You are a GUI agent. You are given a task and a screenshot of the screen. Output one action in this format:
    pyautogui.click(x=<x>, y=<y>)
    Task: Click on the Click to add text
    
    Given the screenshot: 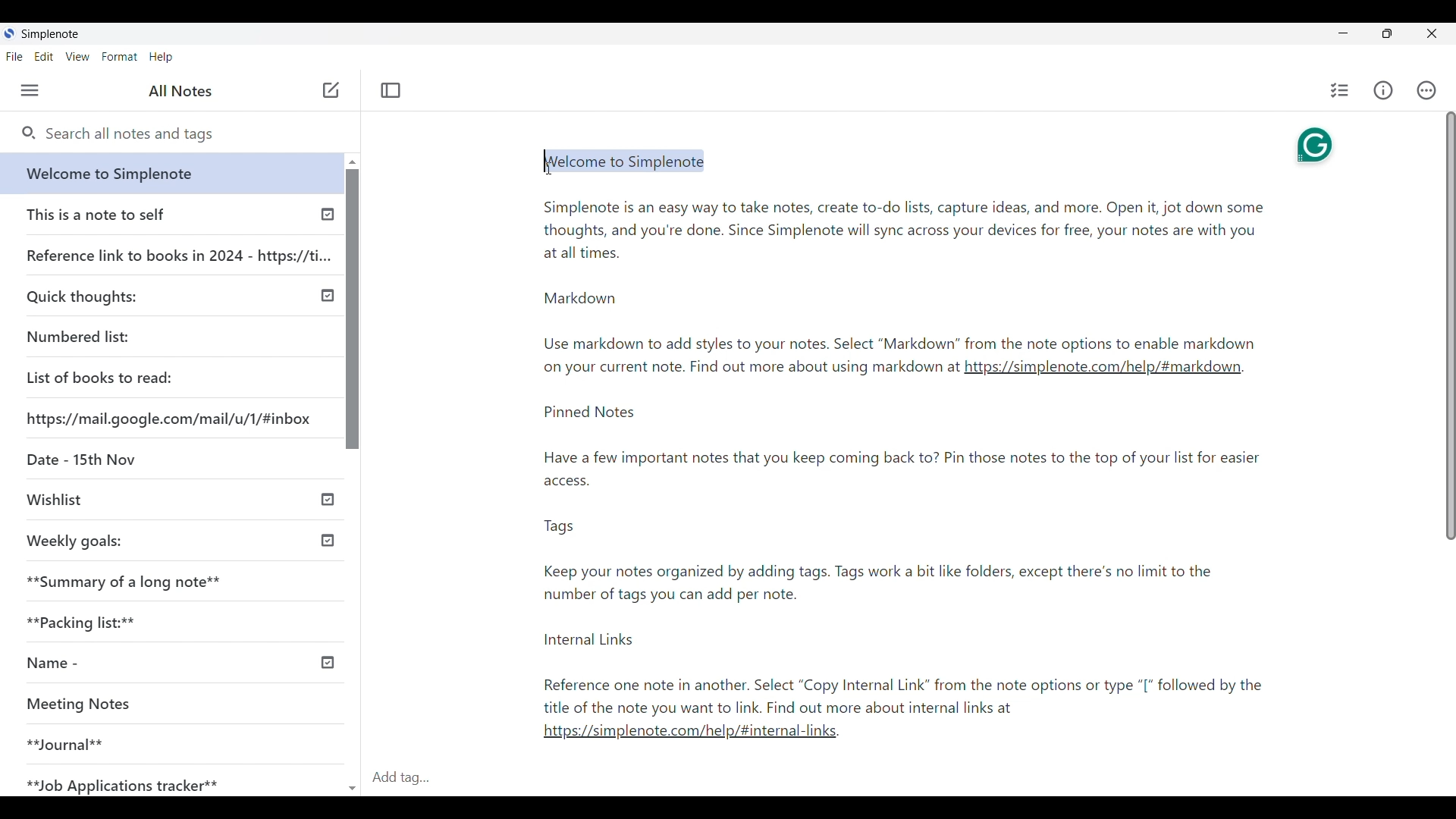 What is the action you would take?
    pyautogui.click(x=331, y=90)
    